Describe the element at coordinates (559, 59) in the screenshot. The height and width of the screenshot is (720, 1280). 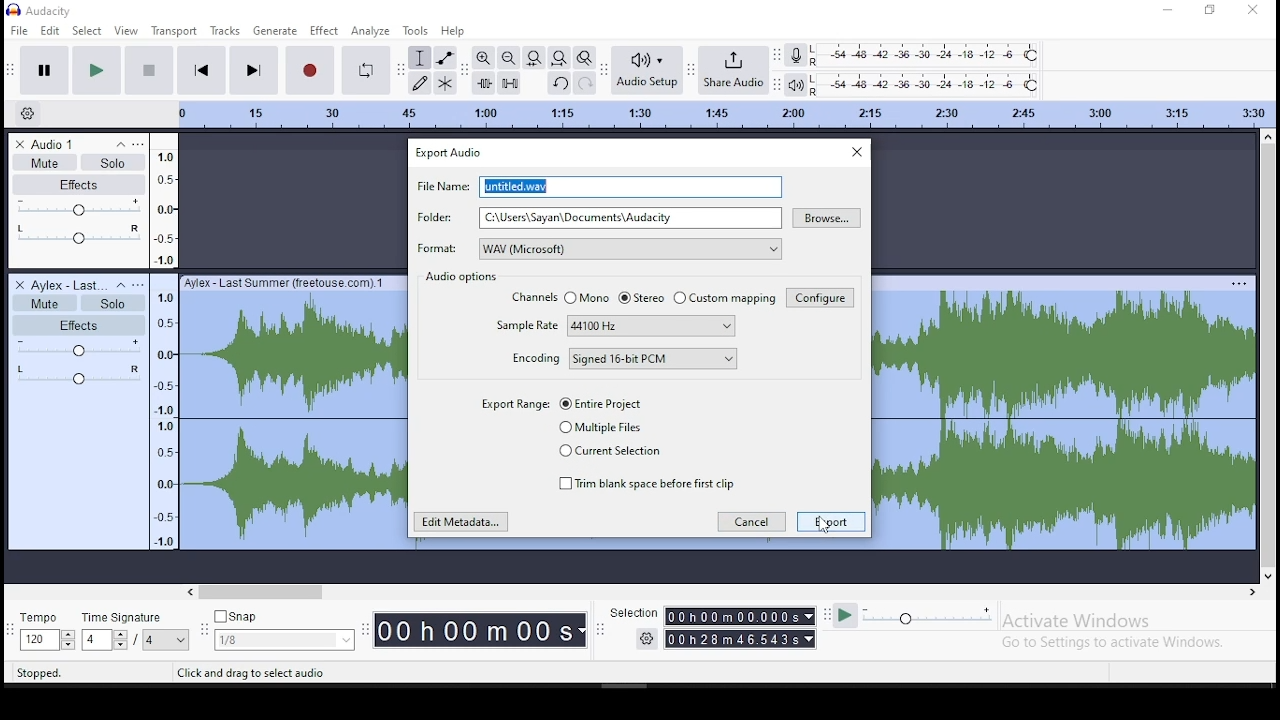
I see `fit to project to width` at that location.